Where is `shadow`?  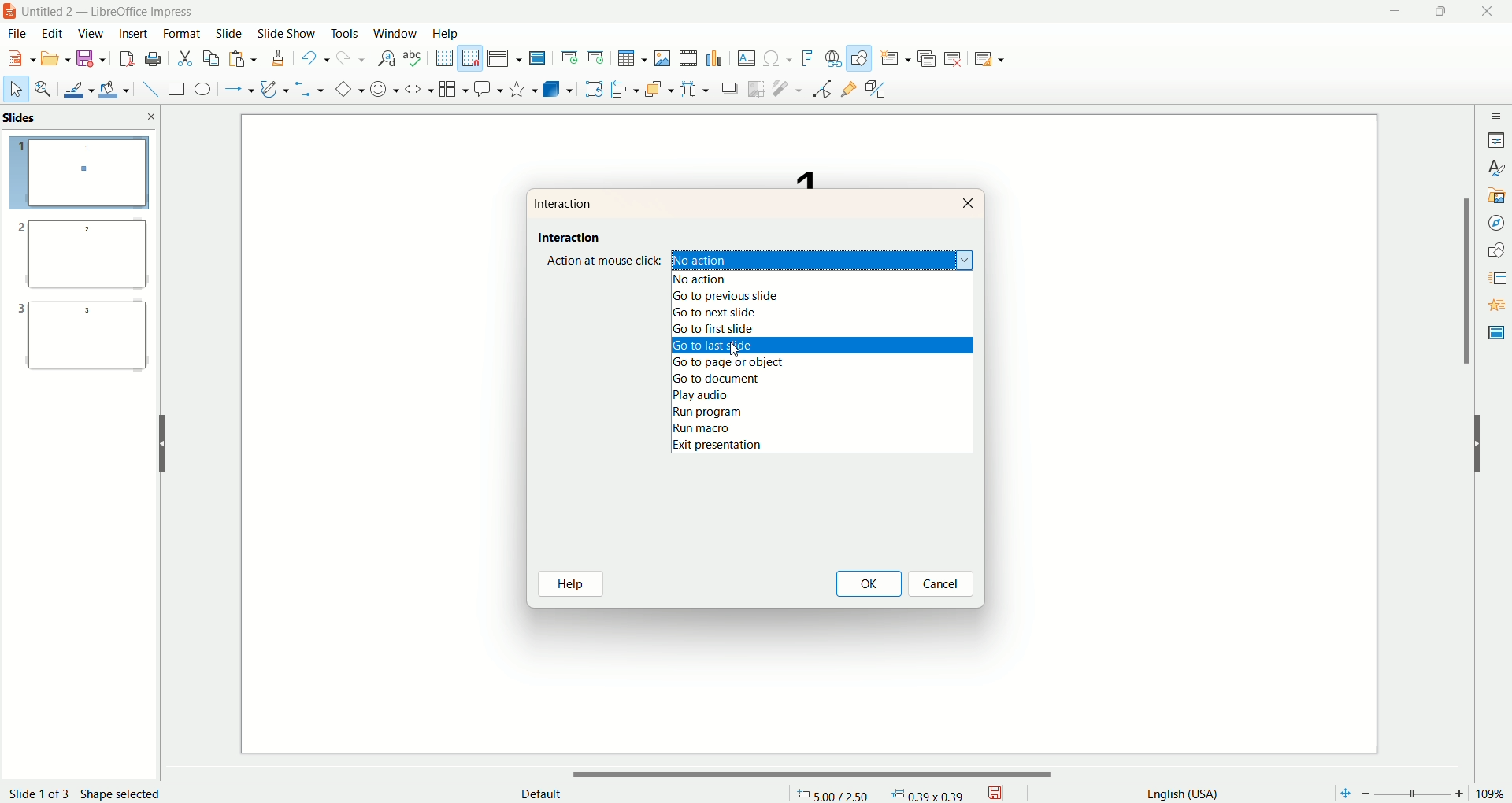
shadow is located at coordinates (732, 90).